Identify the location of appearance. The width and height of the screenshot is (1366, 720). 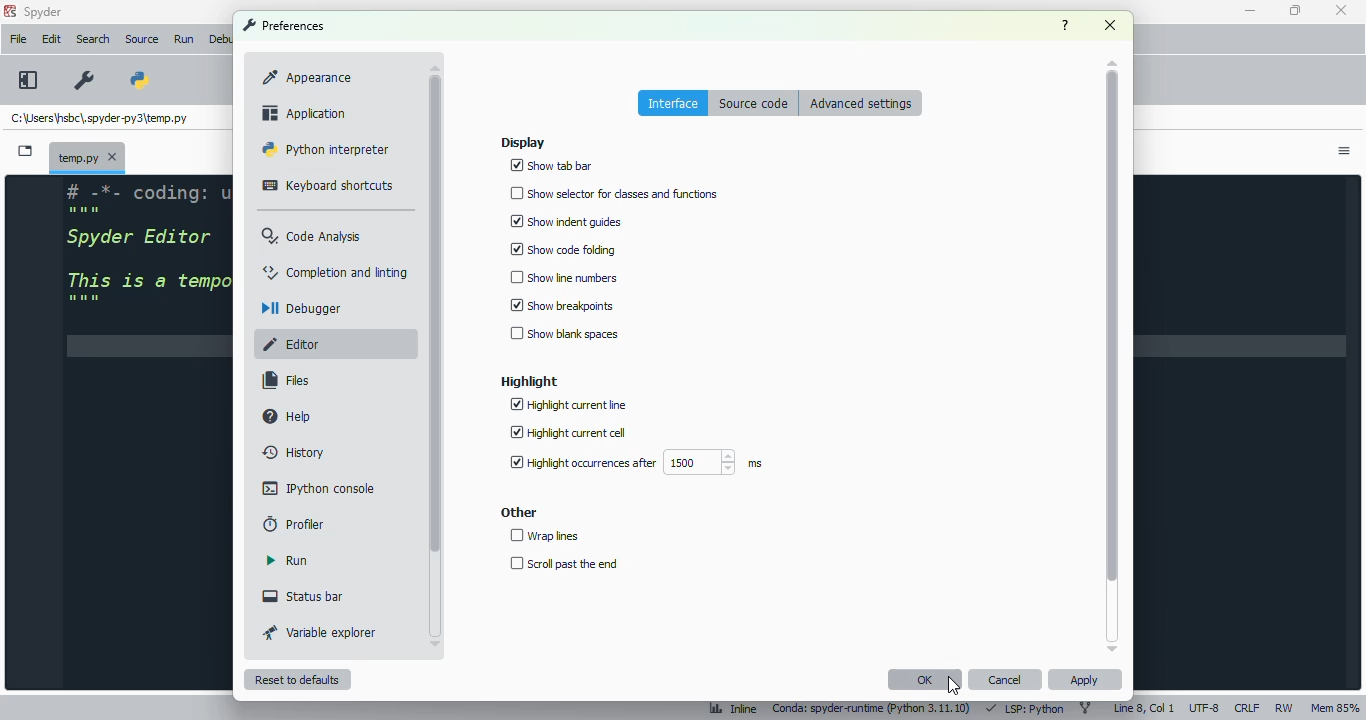
(306, 78).